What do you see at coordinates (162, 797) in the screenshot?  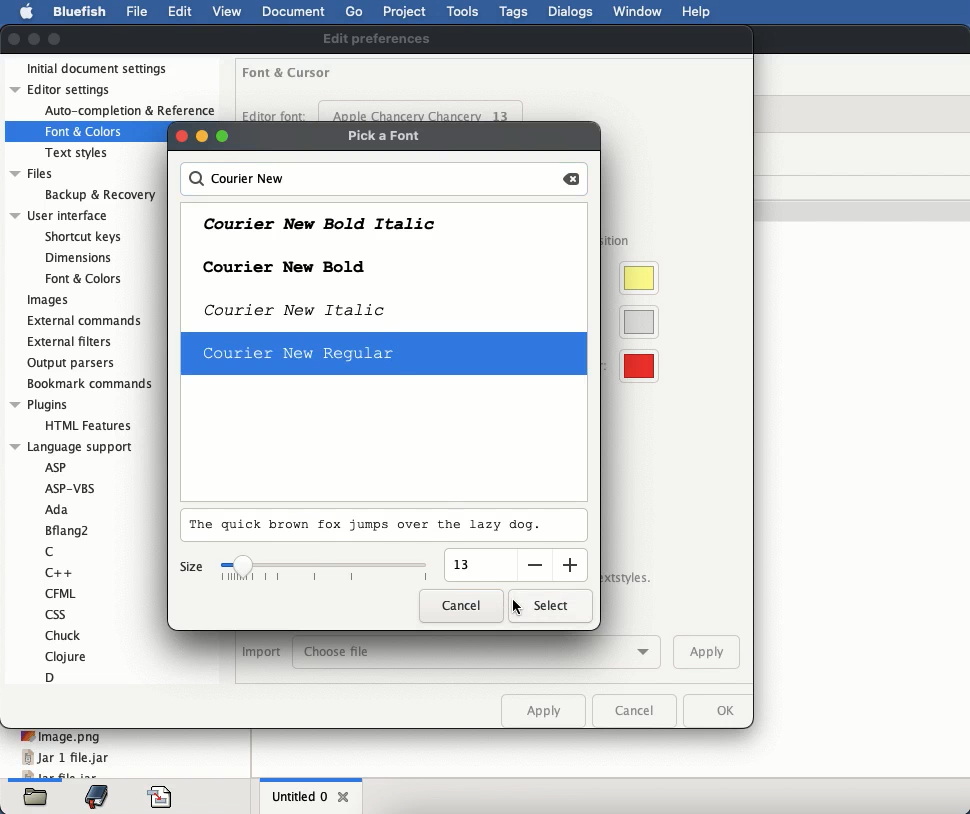 I see `code` at bounding box center [162, 797].